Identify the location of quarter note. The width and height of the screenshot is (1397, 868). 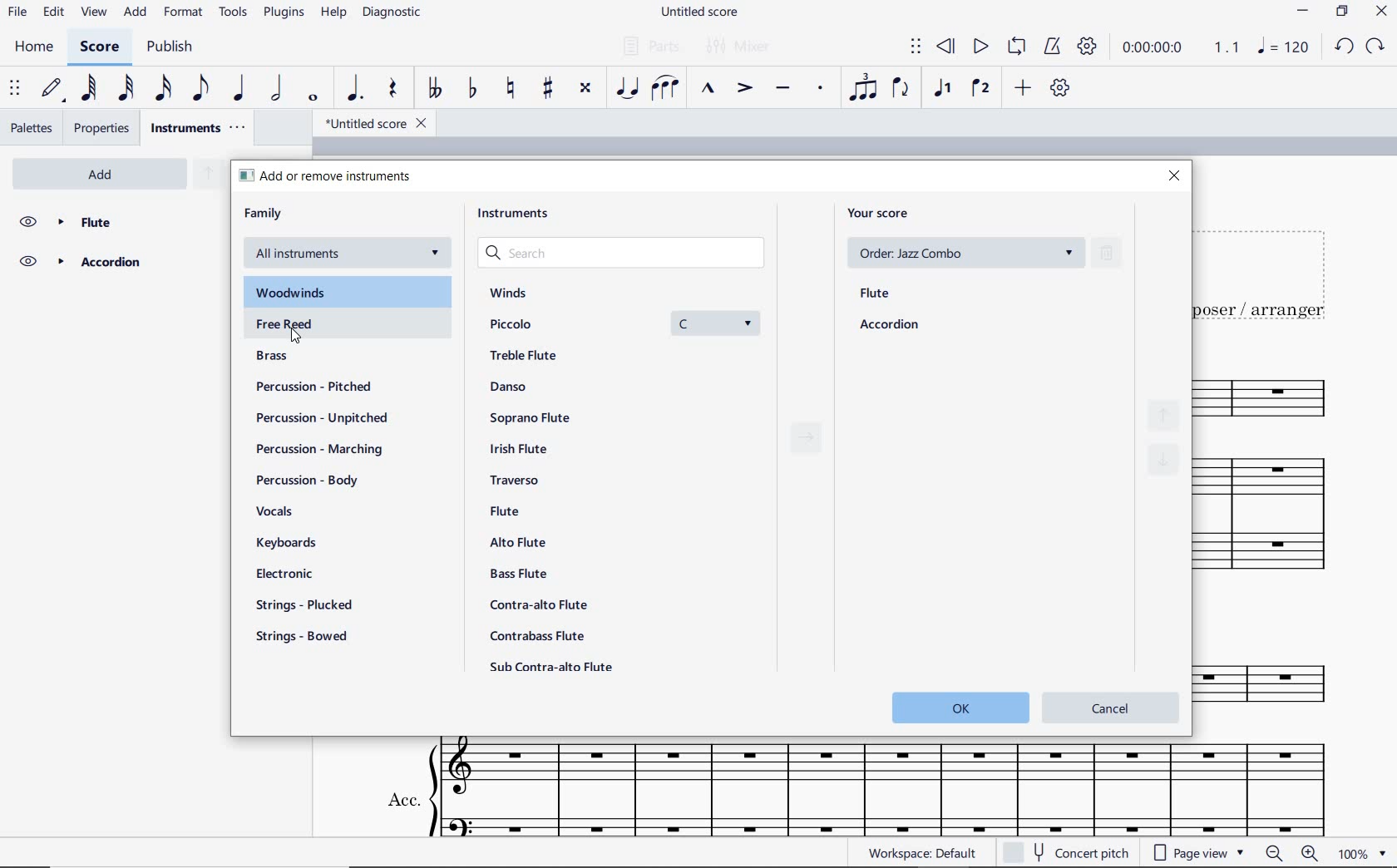
(240, 88).